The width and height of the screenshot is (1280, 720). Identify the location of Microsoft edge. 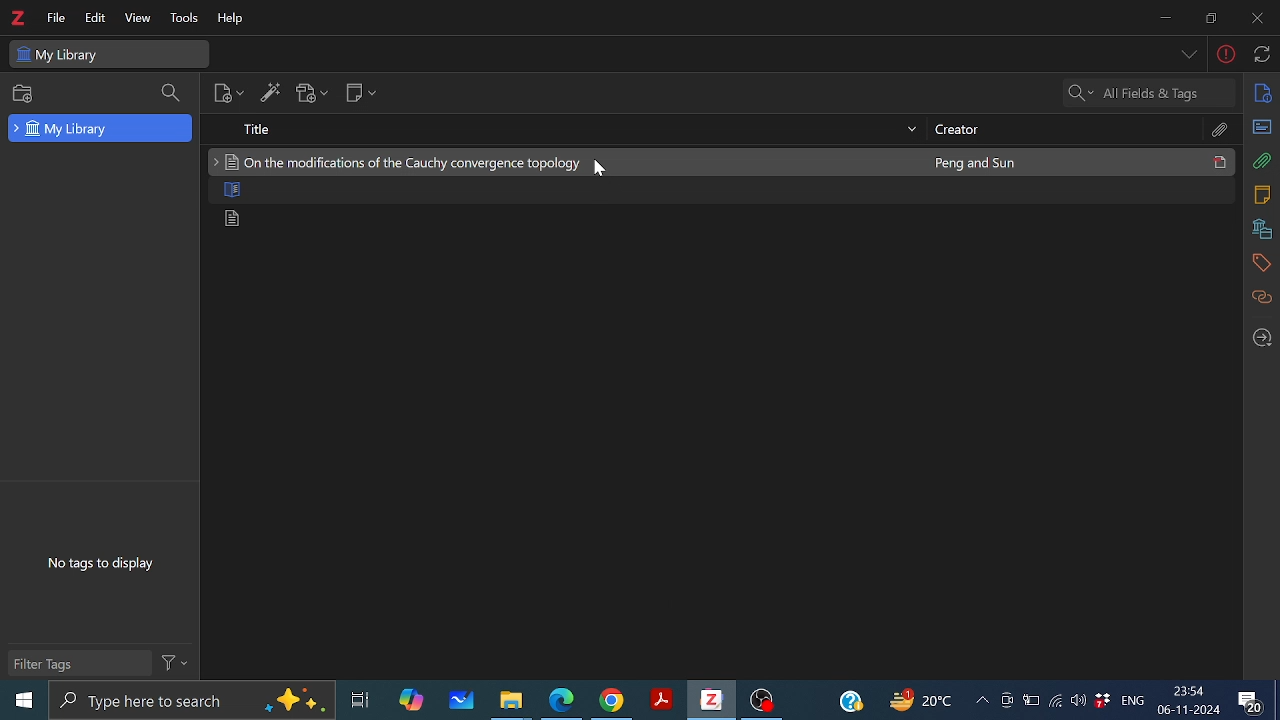
(562, 701).